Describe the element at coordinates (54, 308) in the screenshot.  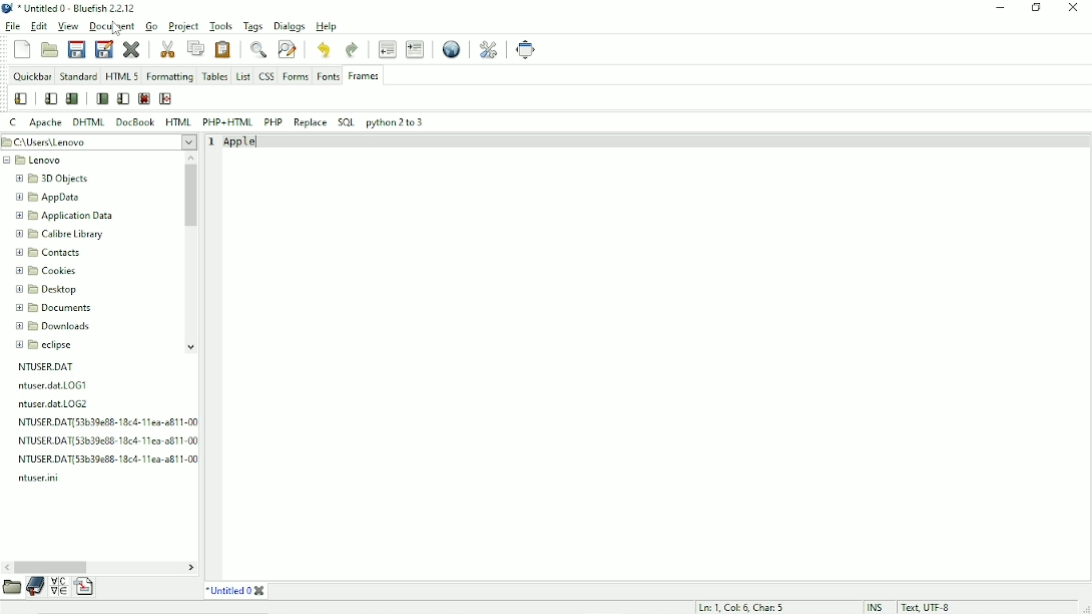
I see `Documents` at that location.